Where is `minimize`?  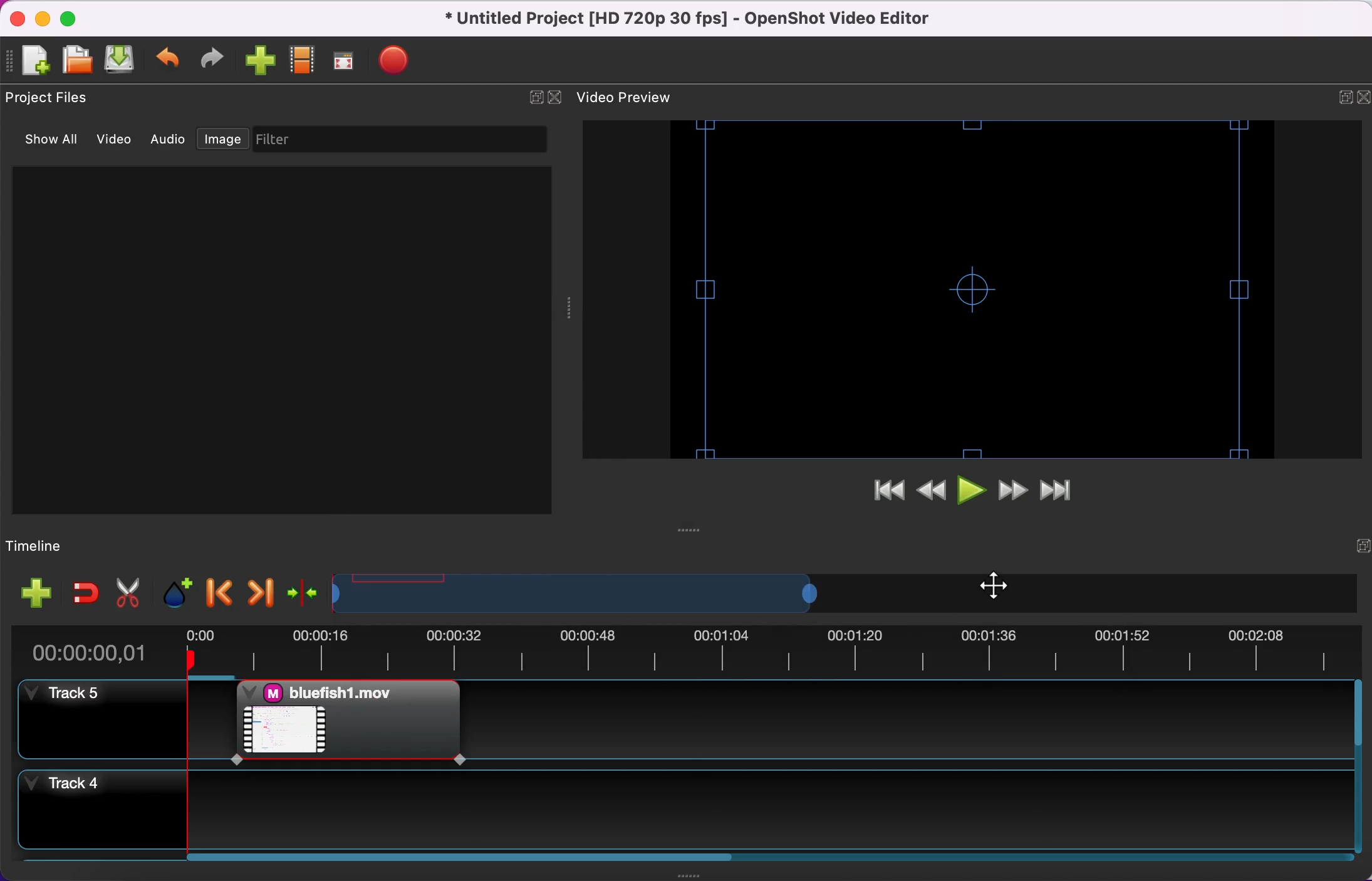
minimize is located at coordinates (44, 18).